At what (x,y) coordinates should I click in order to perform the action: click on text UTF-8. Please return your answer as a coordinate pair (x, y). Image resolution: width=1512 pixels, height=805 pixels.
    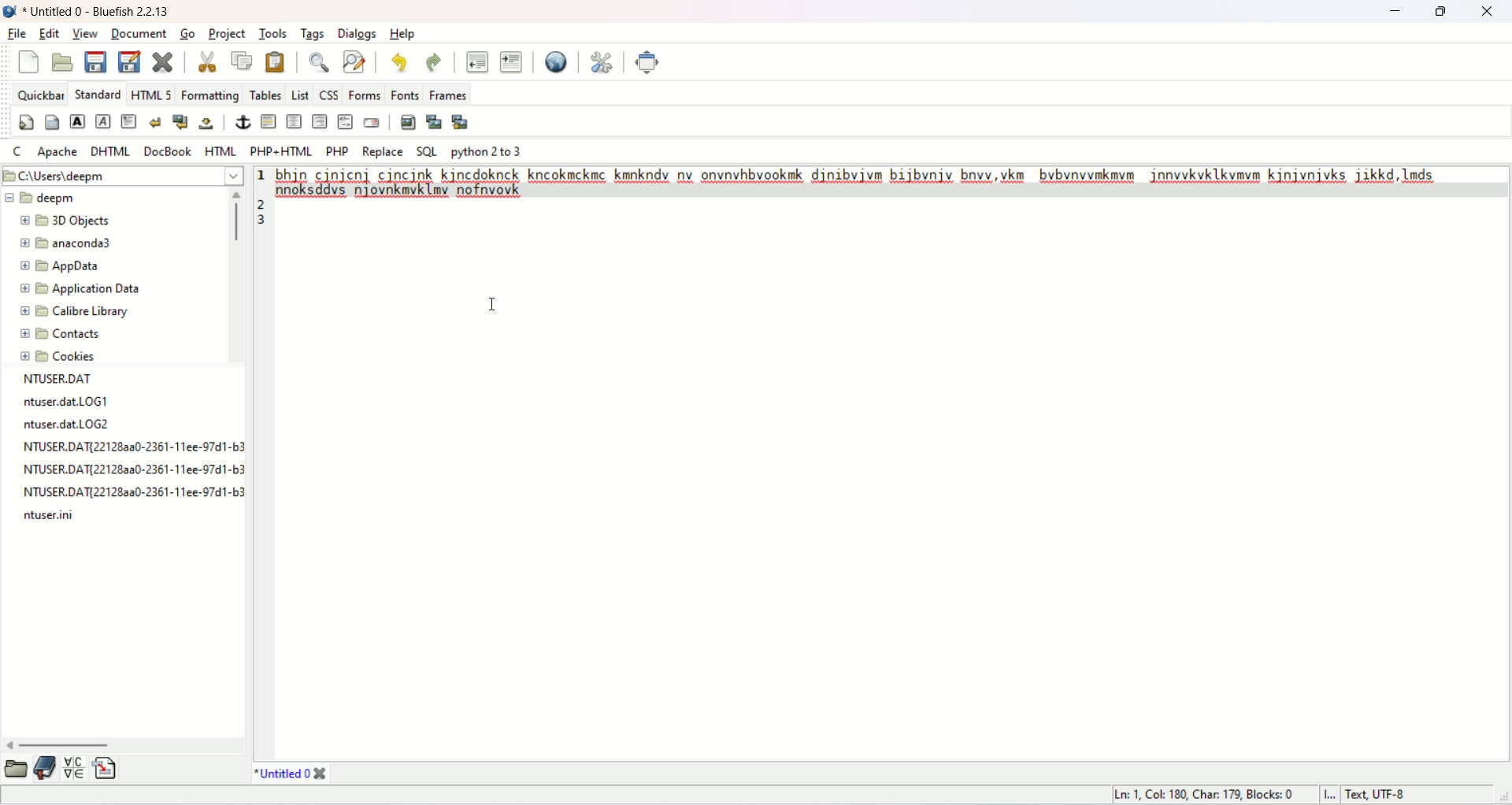
    Looking at the image, I should click on (1378, 796).